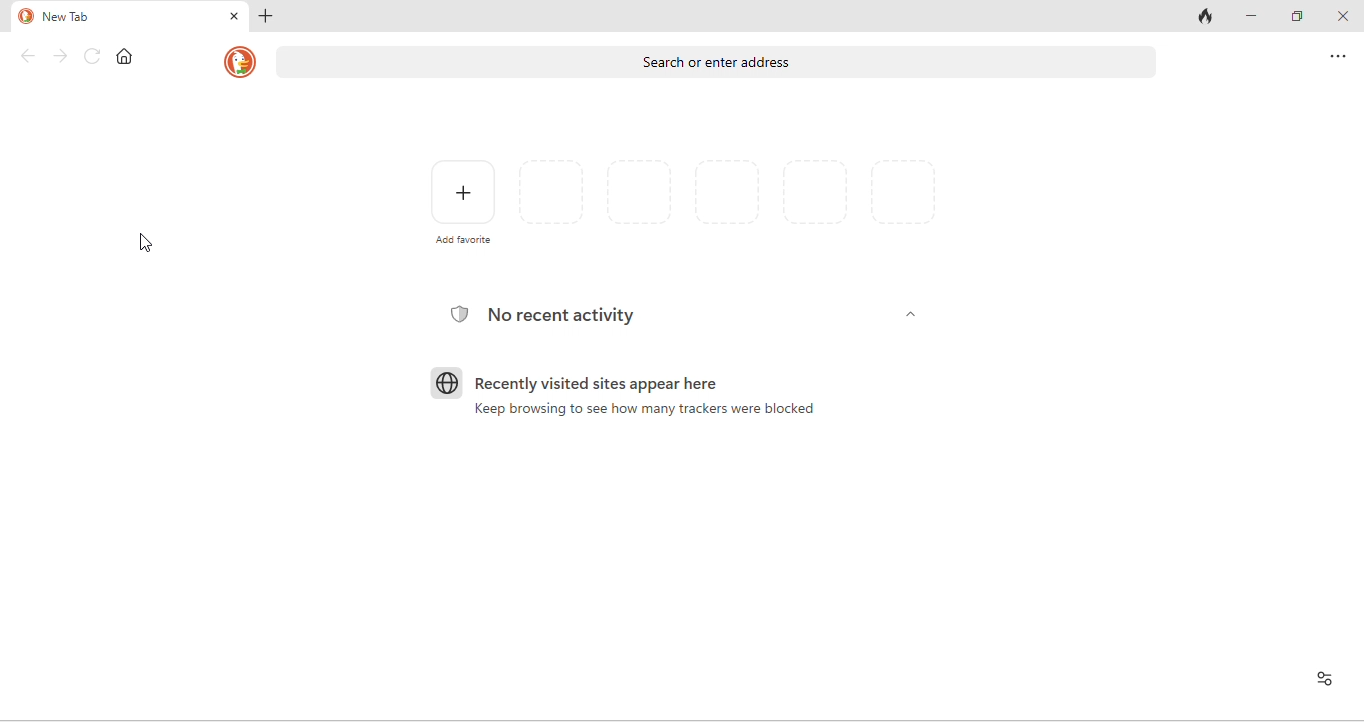  Describe the element at coordinates (1206, 18) in the screenshot. I see `close tab and clear data` at that location.